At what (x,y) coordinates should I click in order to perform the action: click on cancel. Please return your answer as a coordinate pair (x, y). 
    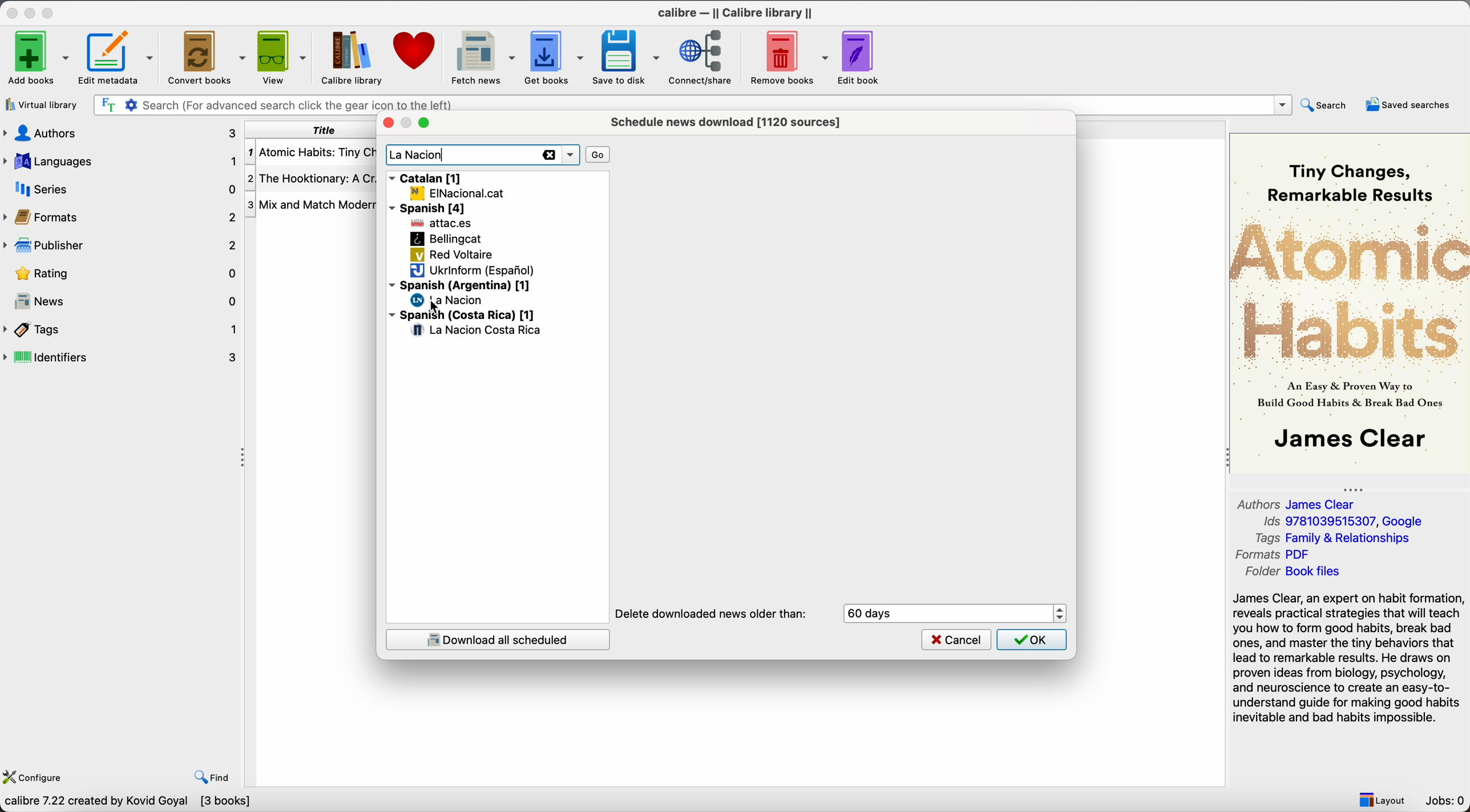
    Looking at the image, I should click on (956, 639).